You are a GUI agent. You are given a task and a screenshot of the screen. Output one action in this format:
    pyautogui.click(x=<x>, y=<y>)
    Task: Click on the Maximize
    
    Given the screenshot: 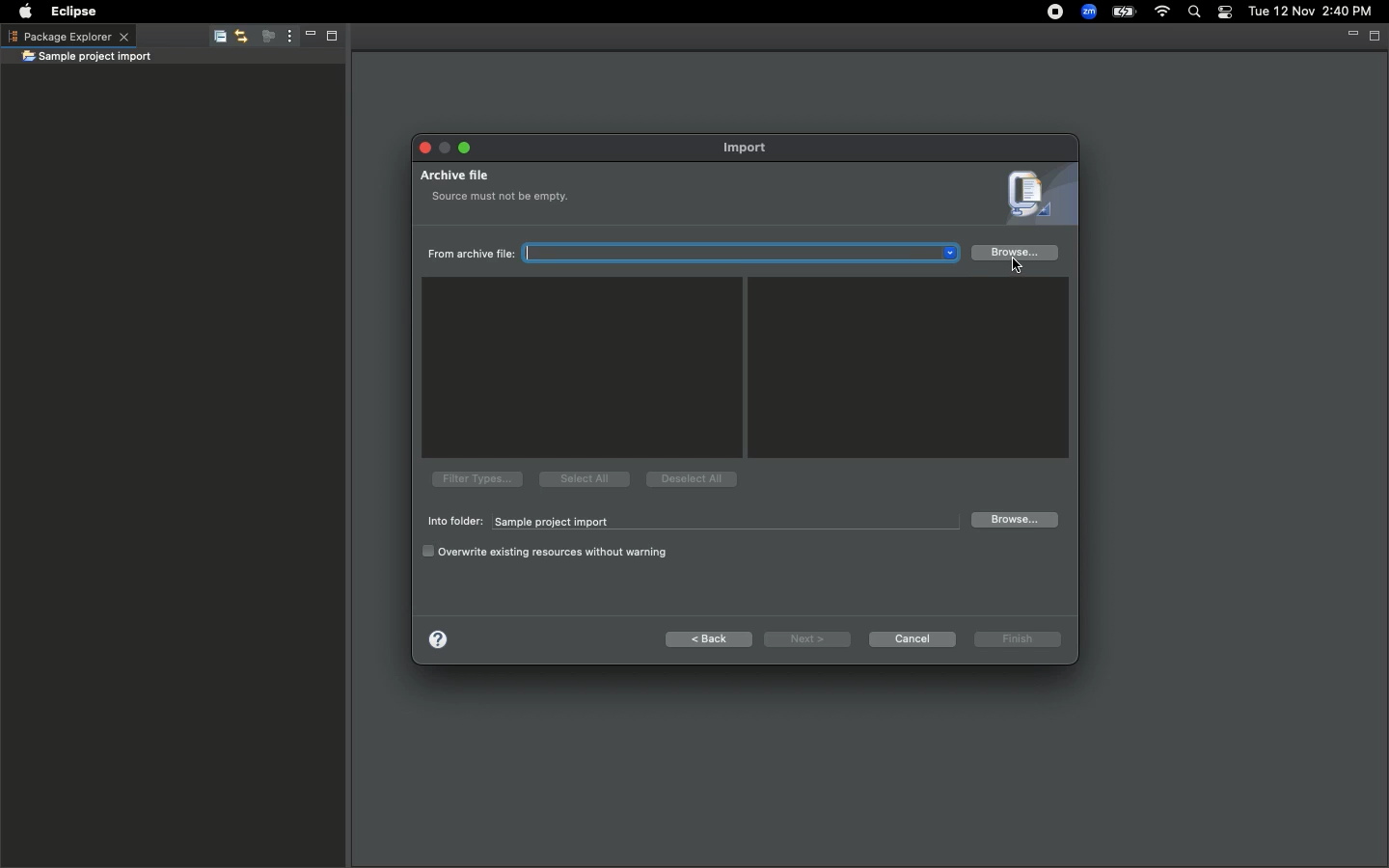 What is the action you would take?
    pyautogui.click(x=1375, y=36)
    